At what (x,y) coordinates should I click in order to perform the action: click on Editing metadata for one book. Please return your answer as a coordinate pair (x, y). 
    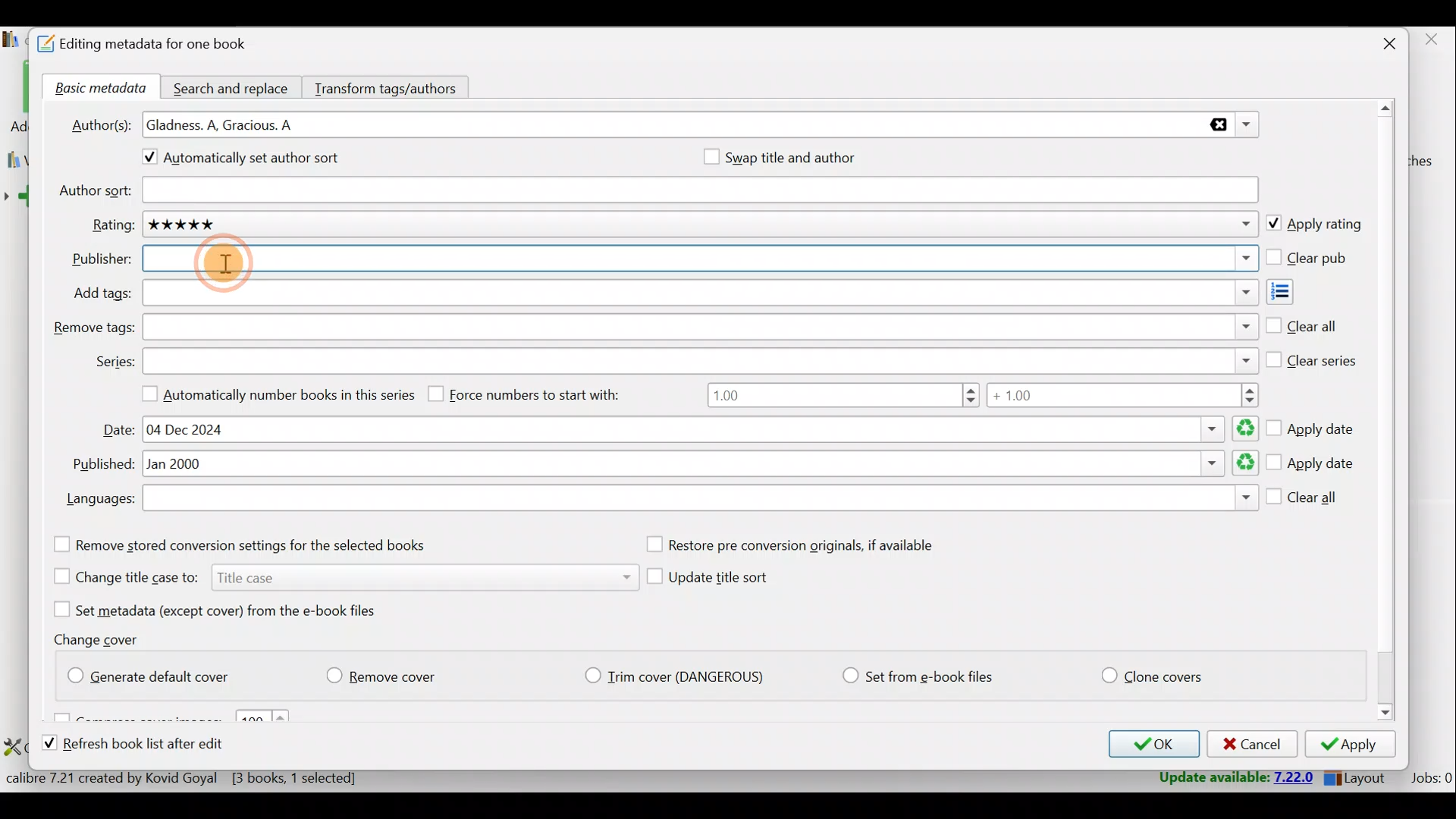
    Looking at the image, I should click on (161, 45).